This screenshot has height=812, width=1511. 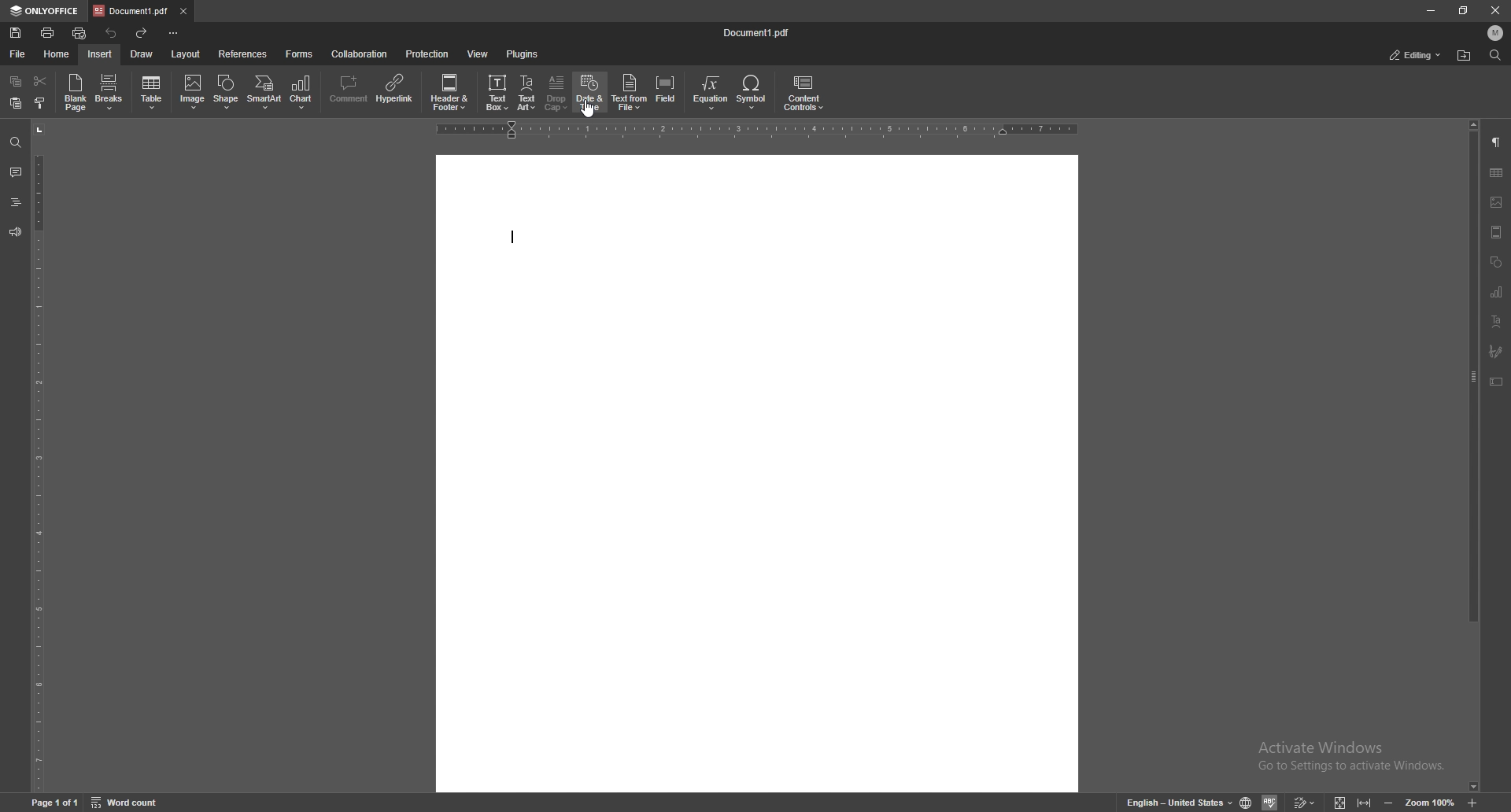 I want to click on track changes, so click(x=1303, y=801).